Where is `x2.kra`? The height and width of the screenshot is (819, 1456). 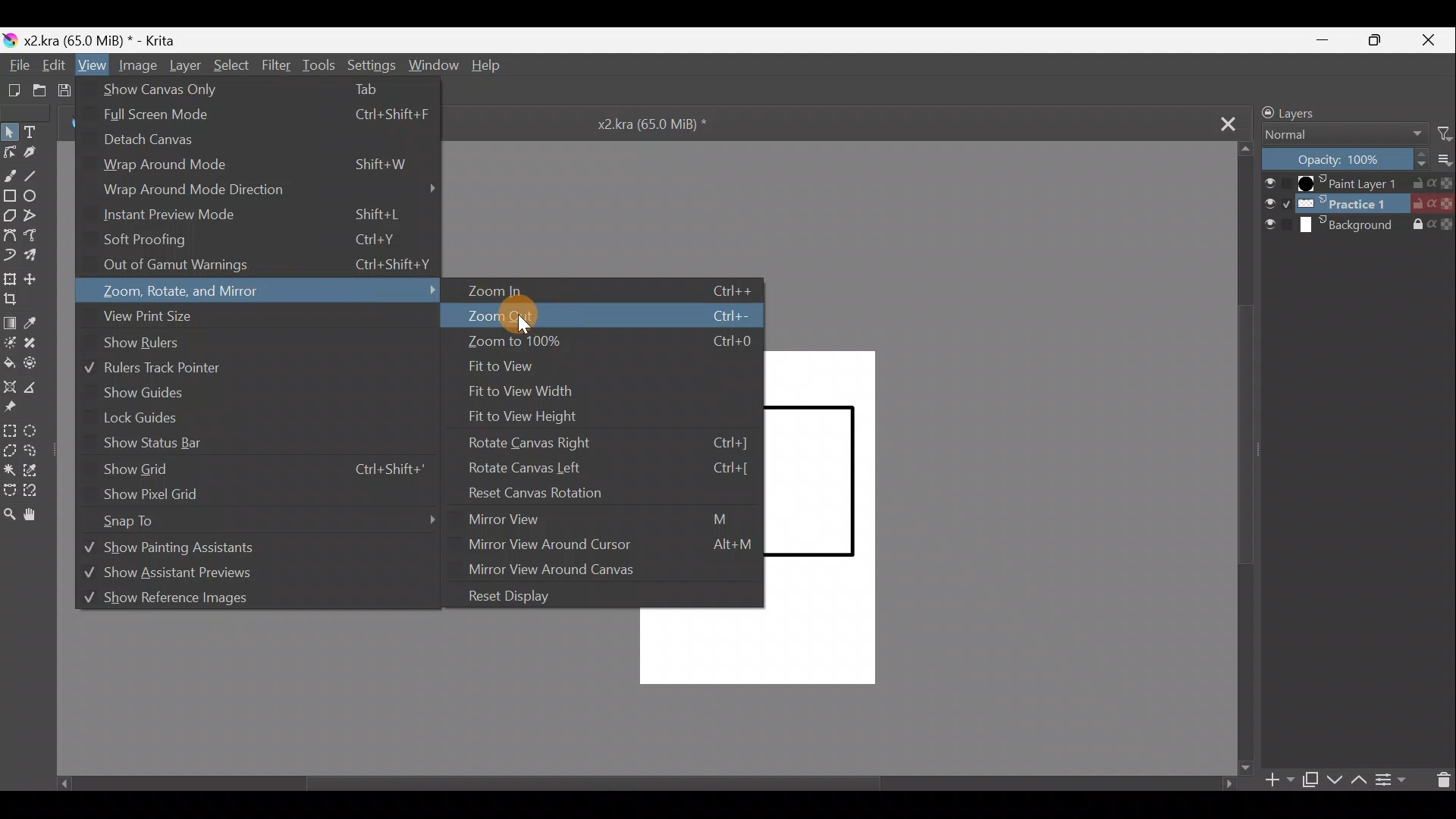
x2.kra is located at coordinates (639, 123).